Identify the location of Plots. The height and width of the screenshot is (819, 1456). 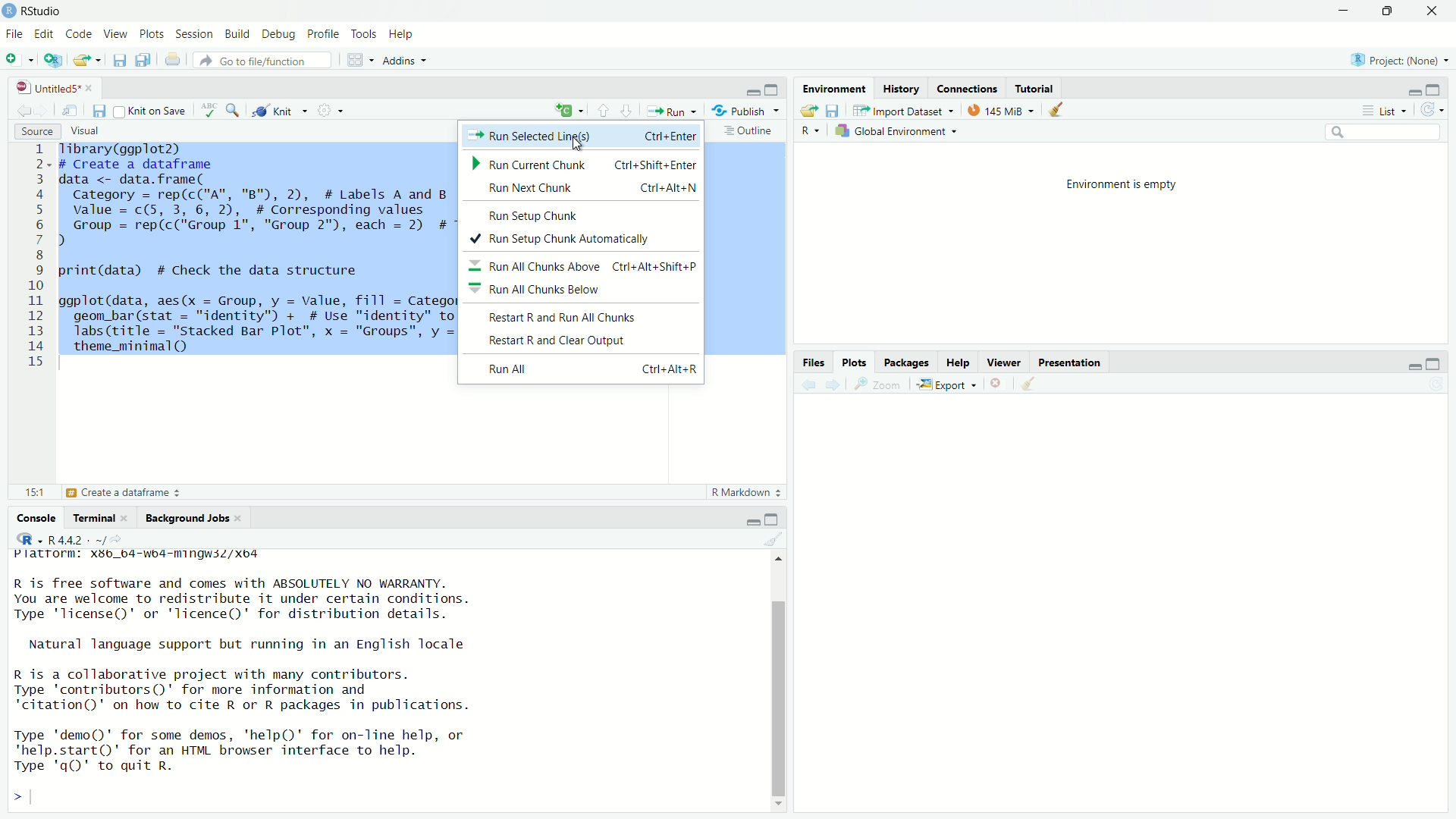
(856, 362).